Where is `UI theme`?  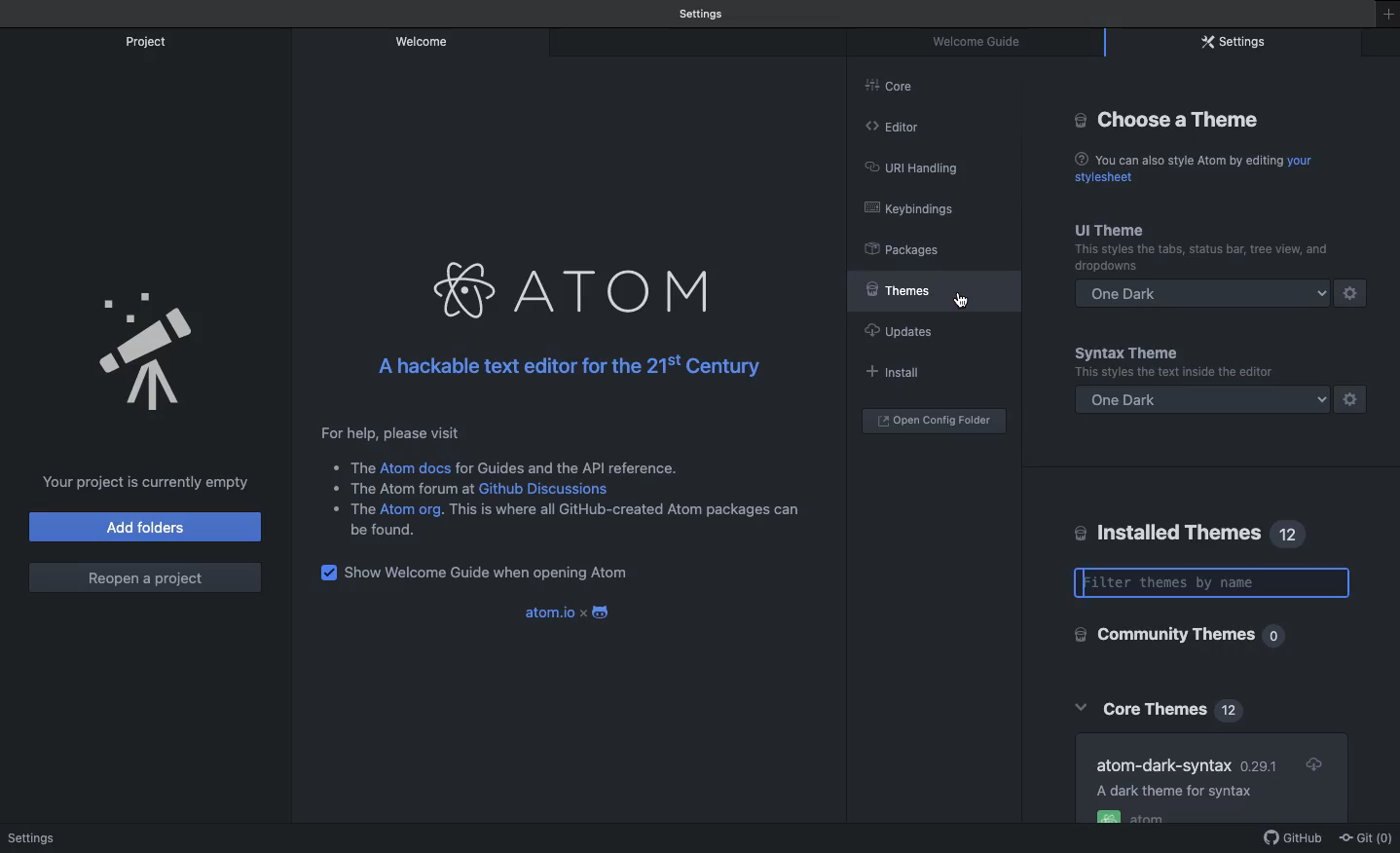 UI theme is located at coordinates (1124, 229).